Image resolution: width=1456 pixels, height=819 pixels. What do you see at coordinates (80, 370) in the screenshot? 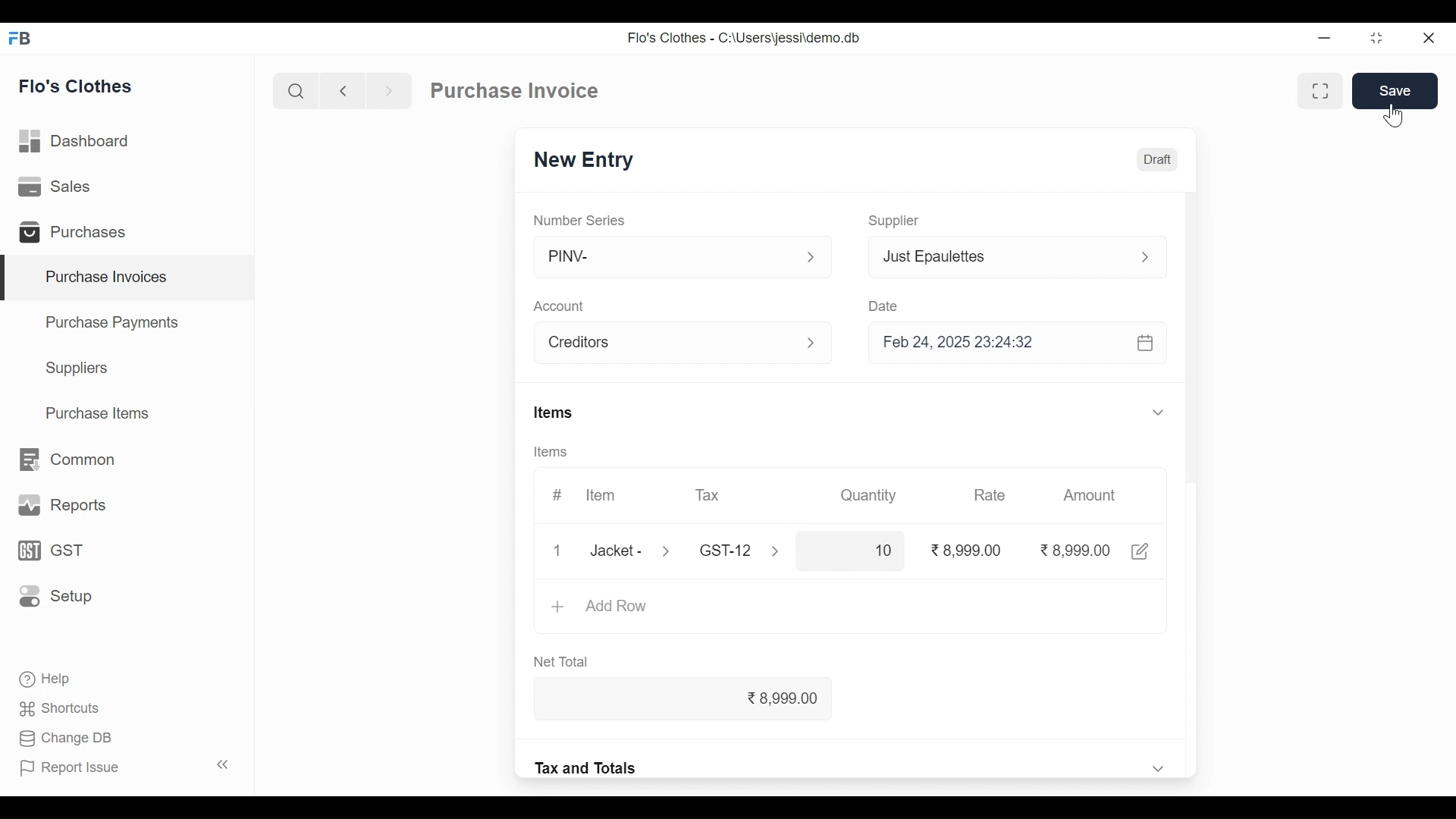
I see `Suppliers` at bounding box center [80, 370].